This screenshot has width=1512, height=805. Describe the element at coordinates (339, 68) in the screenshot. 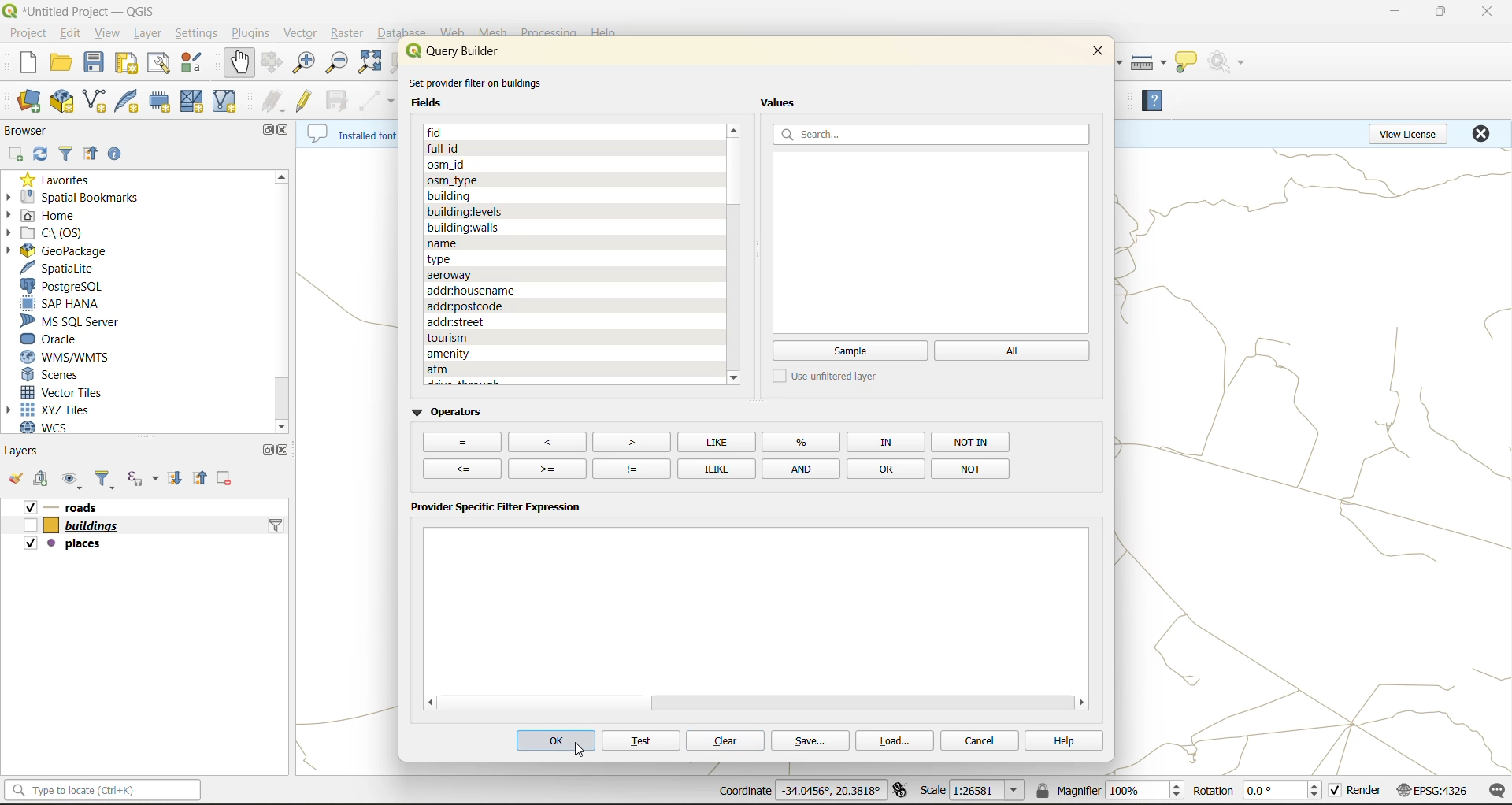

I see `zoom out` at that location.